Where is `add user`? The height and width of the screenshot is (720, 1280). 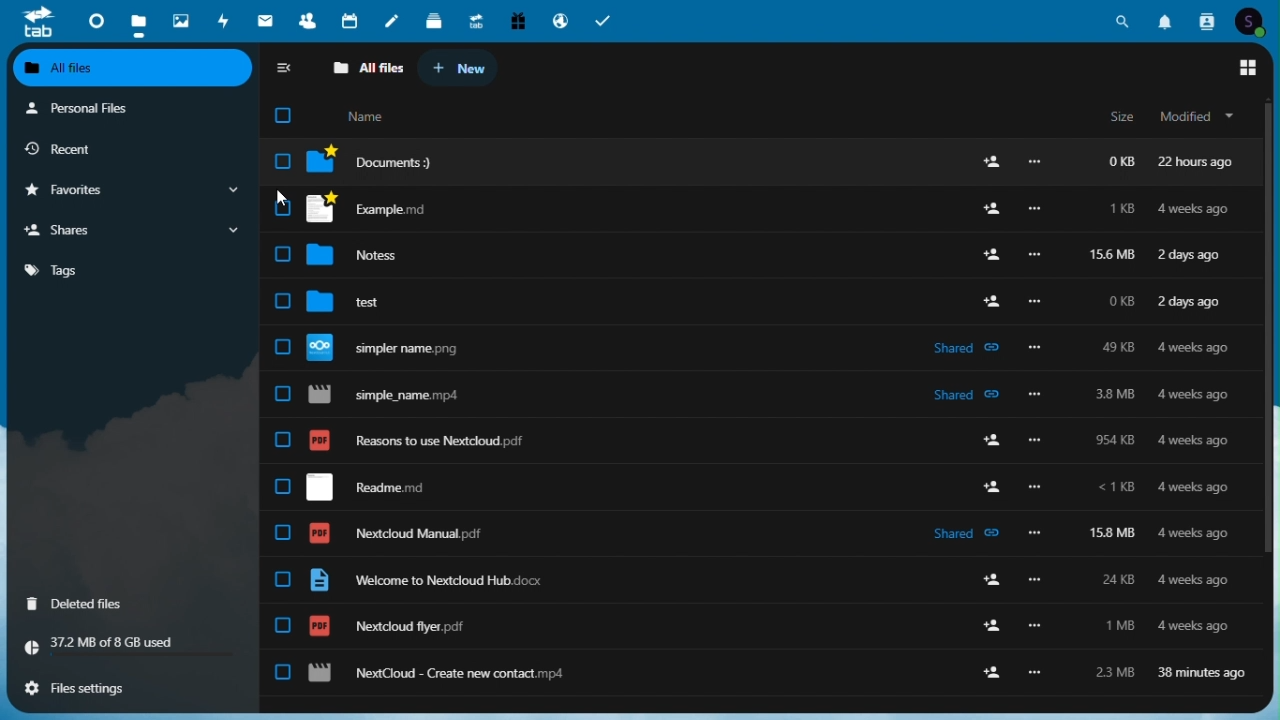 add user is located at coordinates (988, 254).